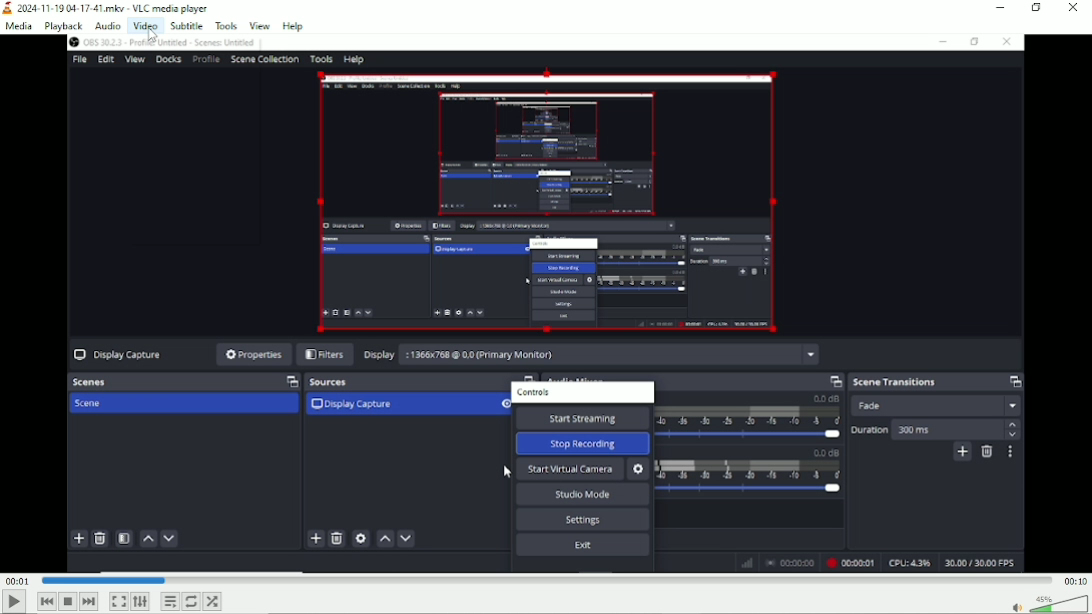  What do you see at coordinates (170, 601) in the screenshot?
I see `Toggle playlist` at bounding box center [170, 601].